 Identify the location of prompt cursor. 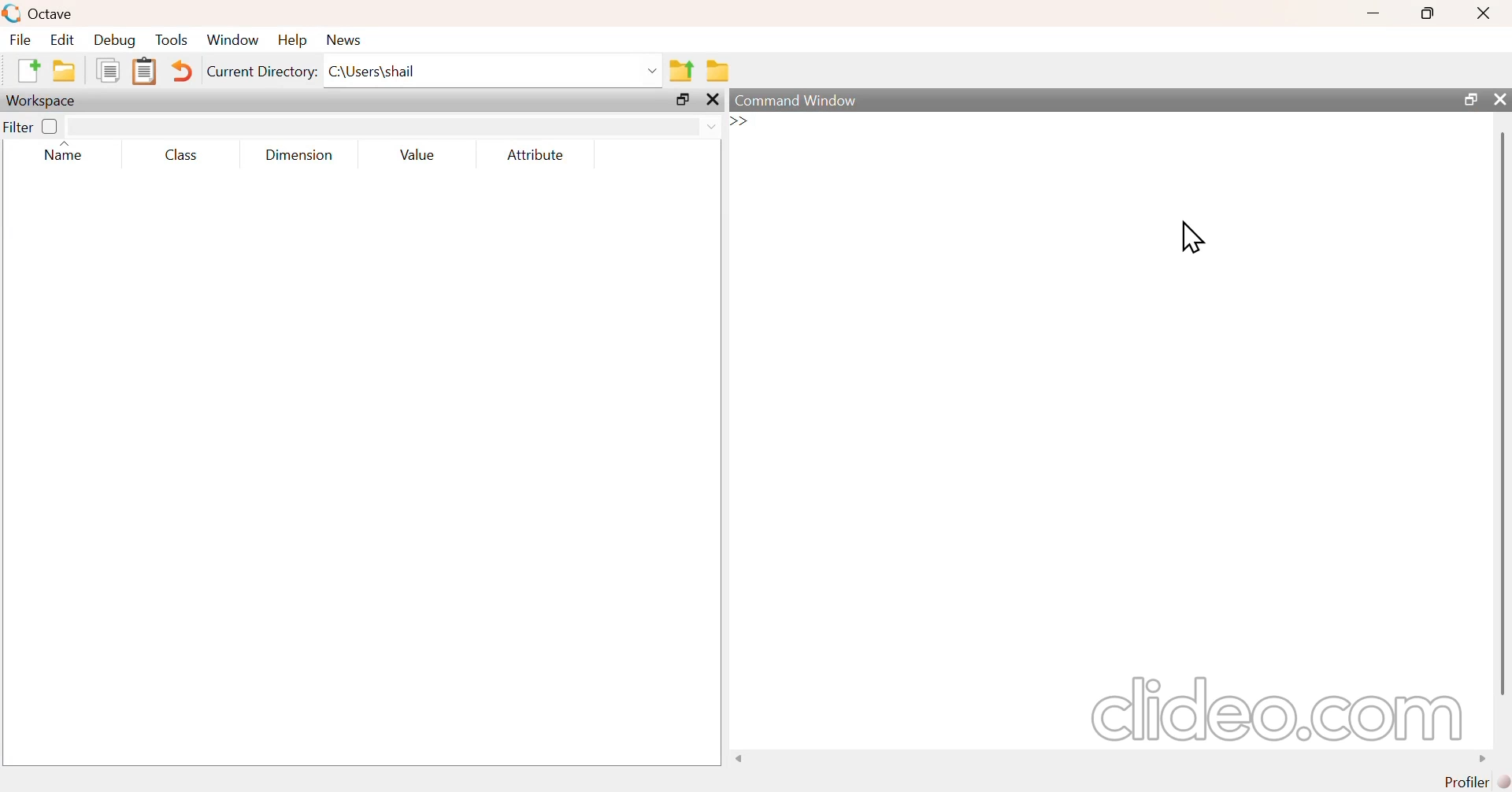
(735, 122).